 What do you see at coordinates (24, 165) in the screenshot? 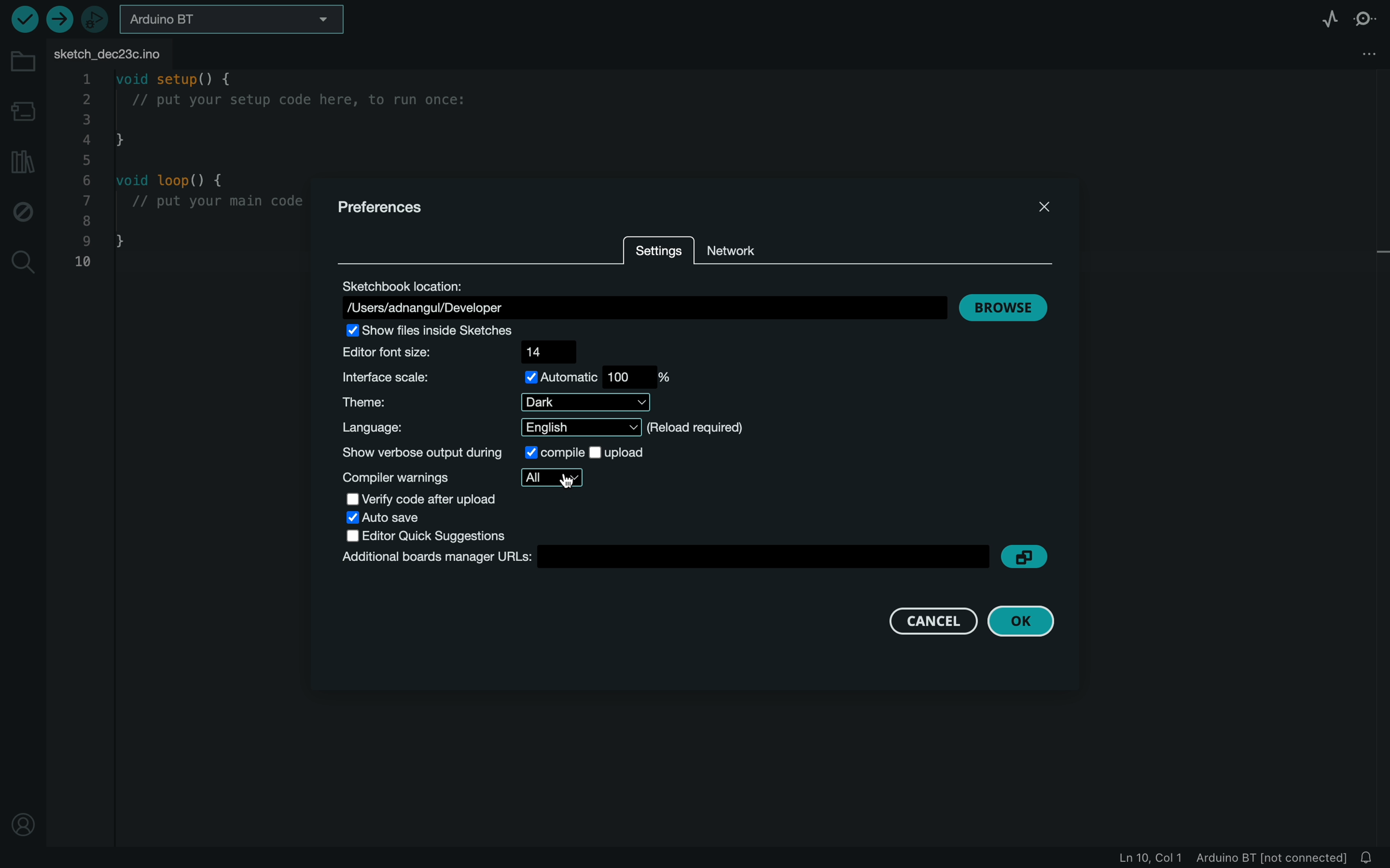
I see `library manager` at bounding box center [24, 165].